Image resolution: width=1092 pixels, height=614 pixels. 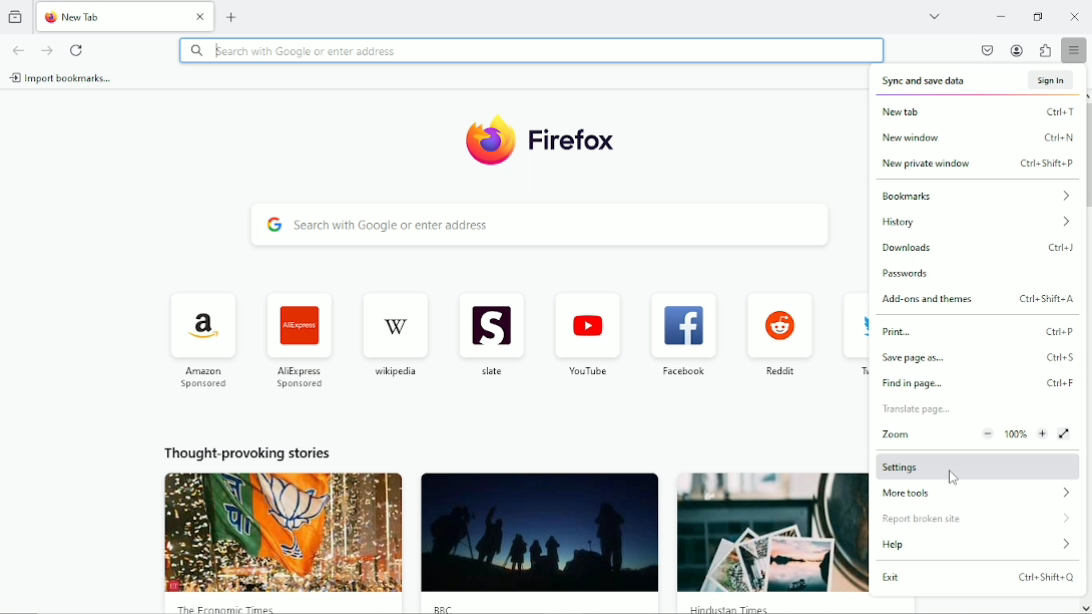 I want to click on New private window Ctrl+Shift+P, so click(x=975, y=164).